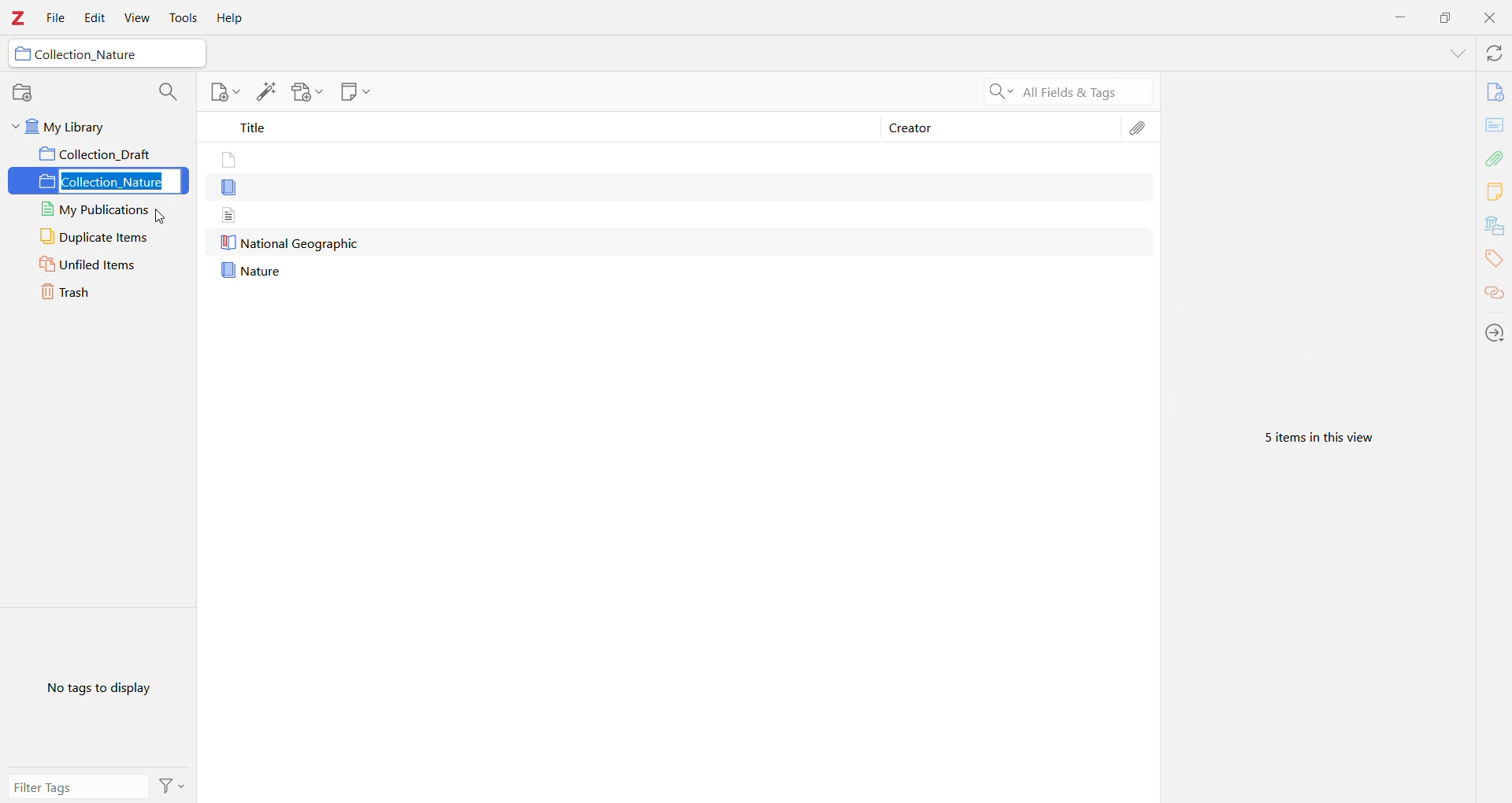  What do you see at coordinates (94, 18) in the screenshot?
I see `Edit` at bounding box center [94, 18].